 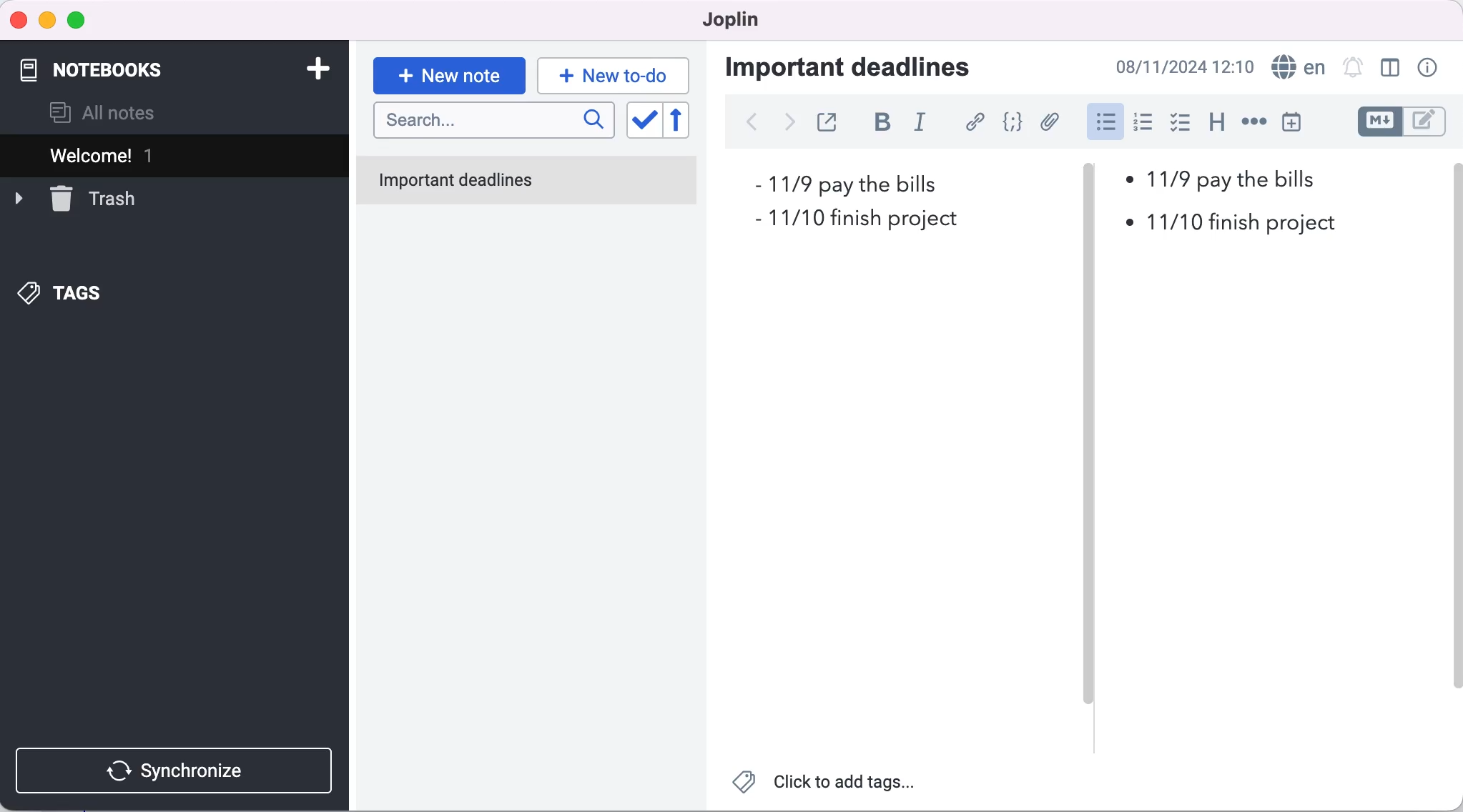 What do you see at coordinates (789, 122) in the screenshot?
I see `forward` at bounding box center [789, 122].